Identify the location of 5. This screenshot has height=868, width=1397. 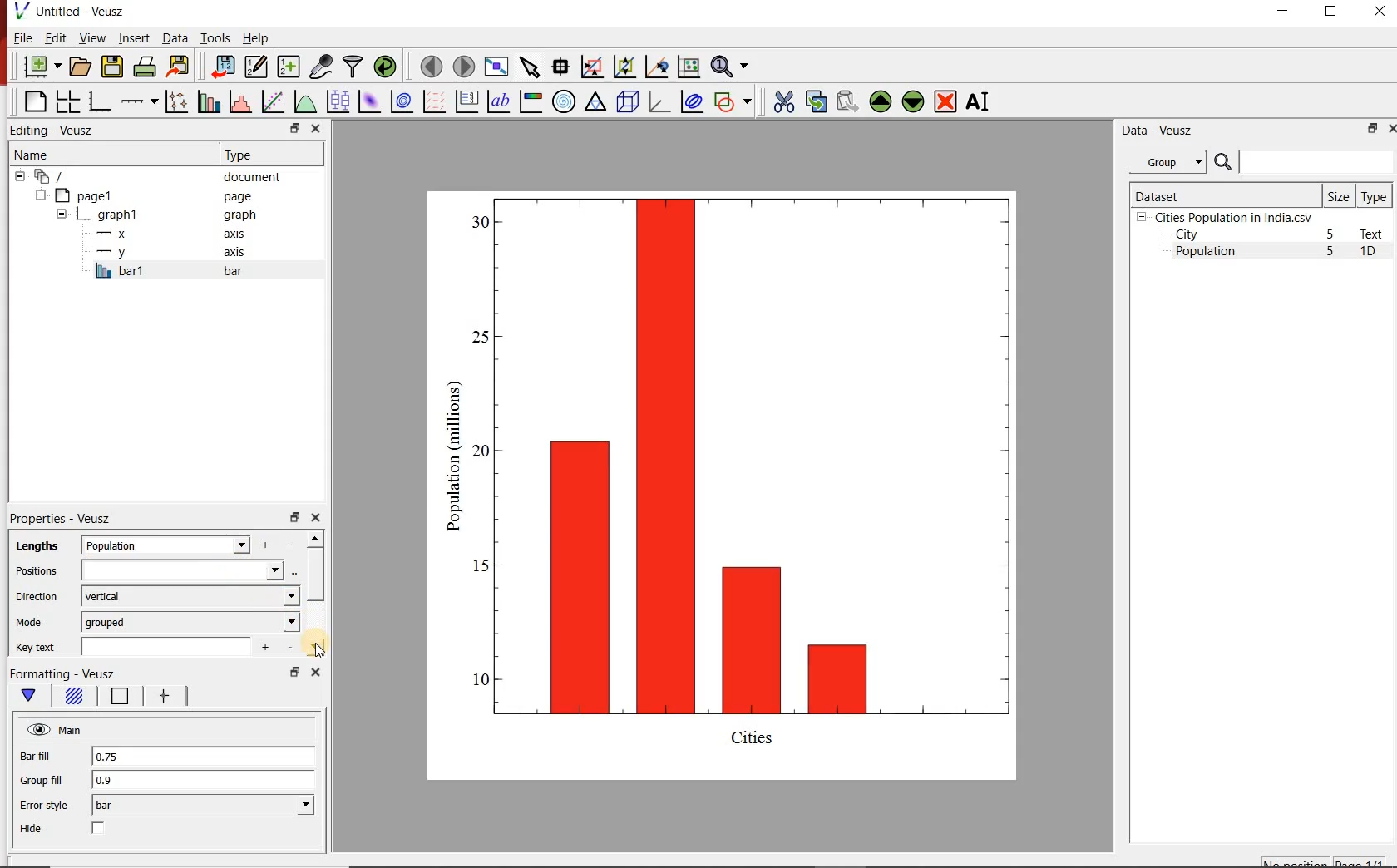
(1331, 252).